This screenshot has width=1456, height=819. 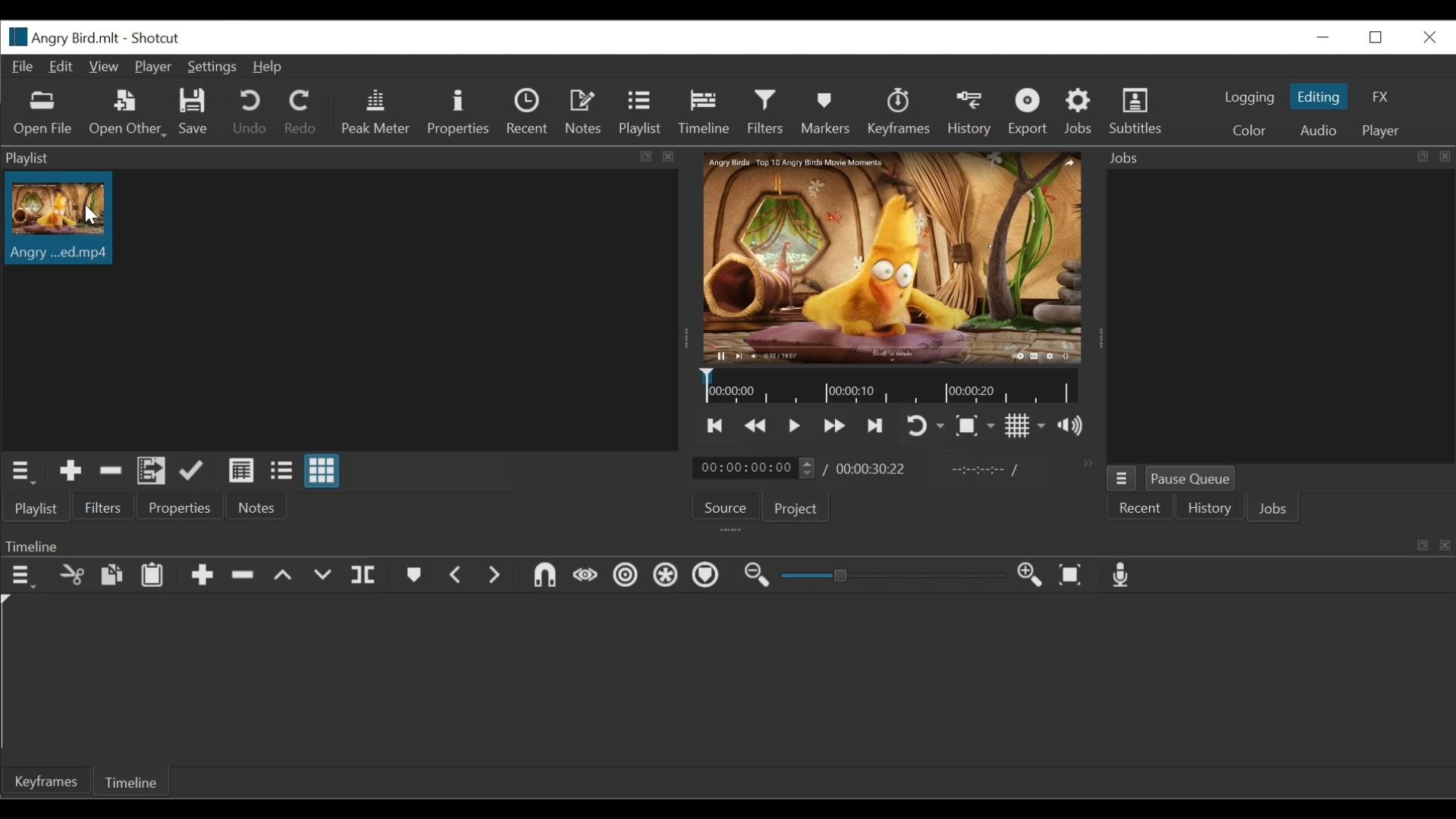 I want to click on Close, so click(x=1428, y=37).